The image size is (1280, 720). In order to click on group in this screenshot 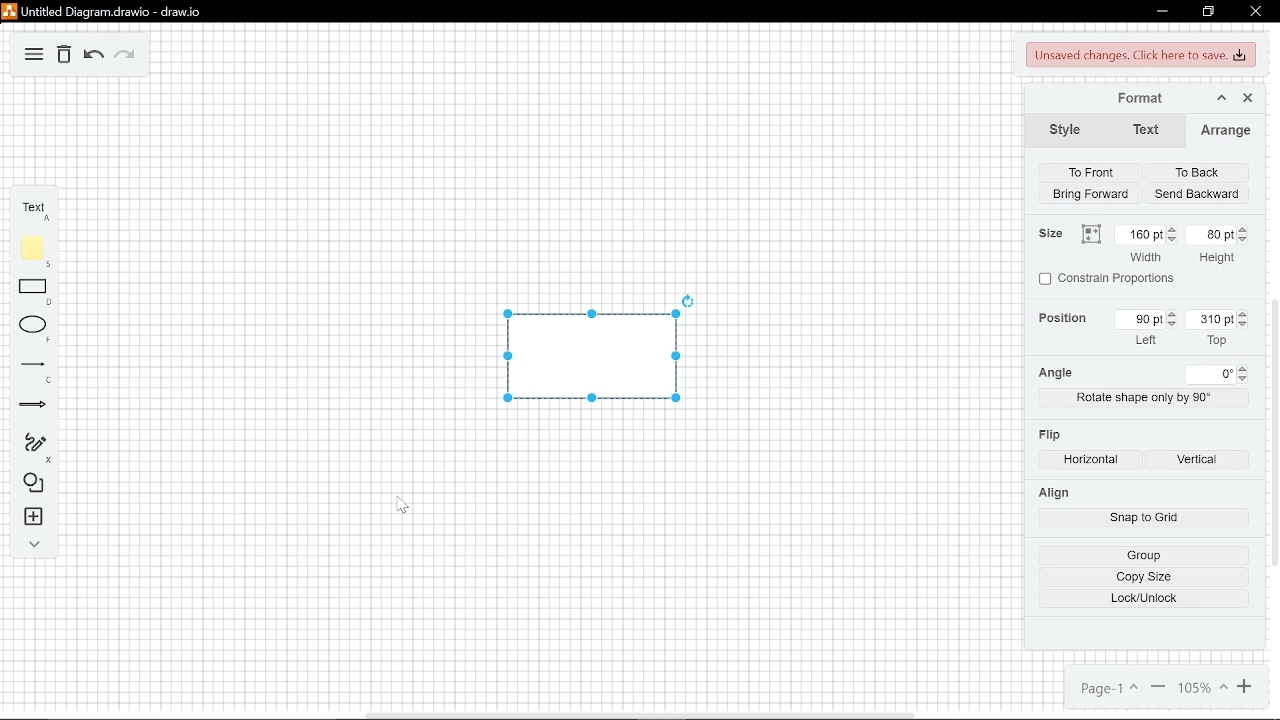, I will do `click(1144, 556)`.